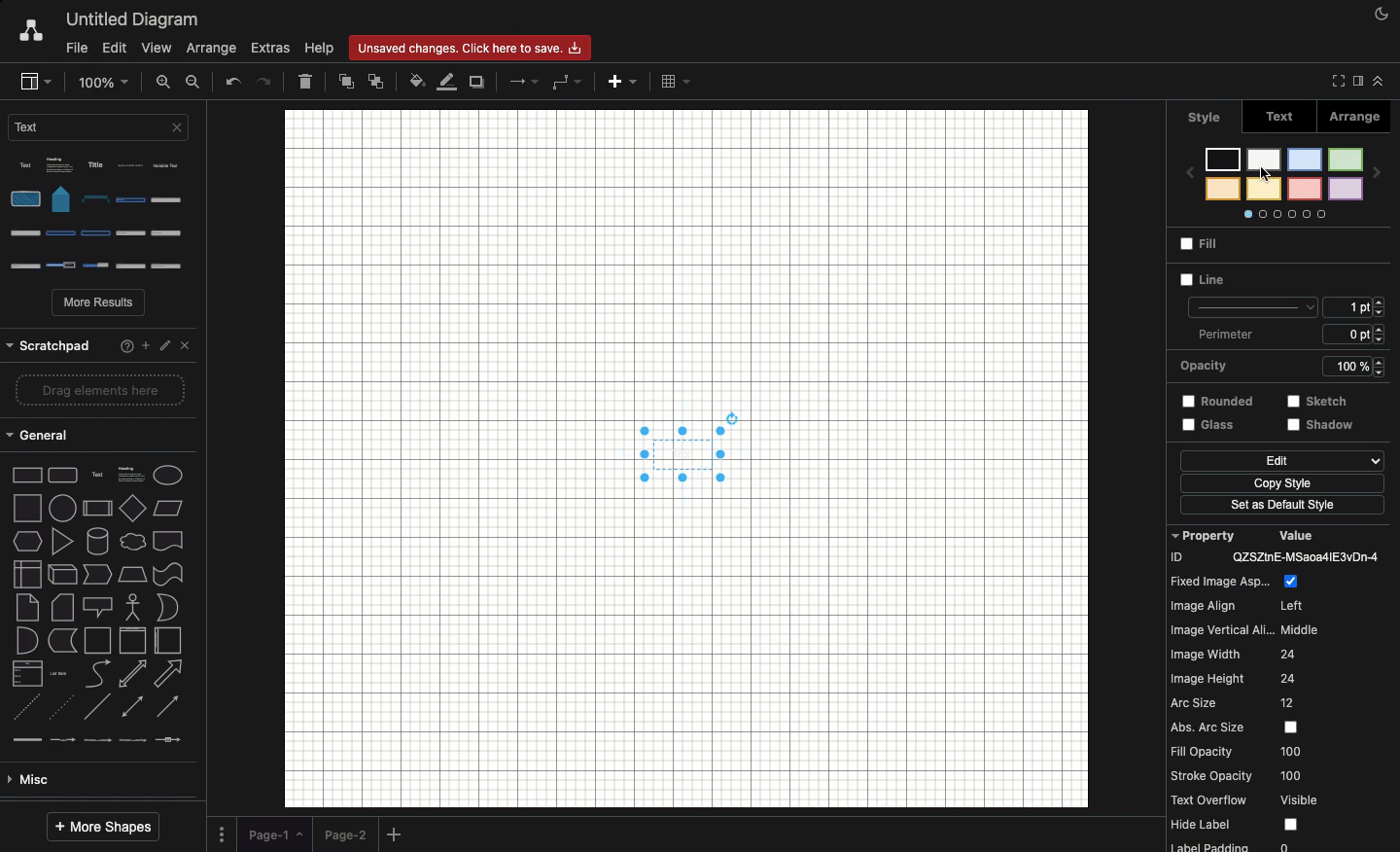  I want to click on Edit, so click(1281, 462).